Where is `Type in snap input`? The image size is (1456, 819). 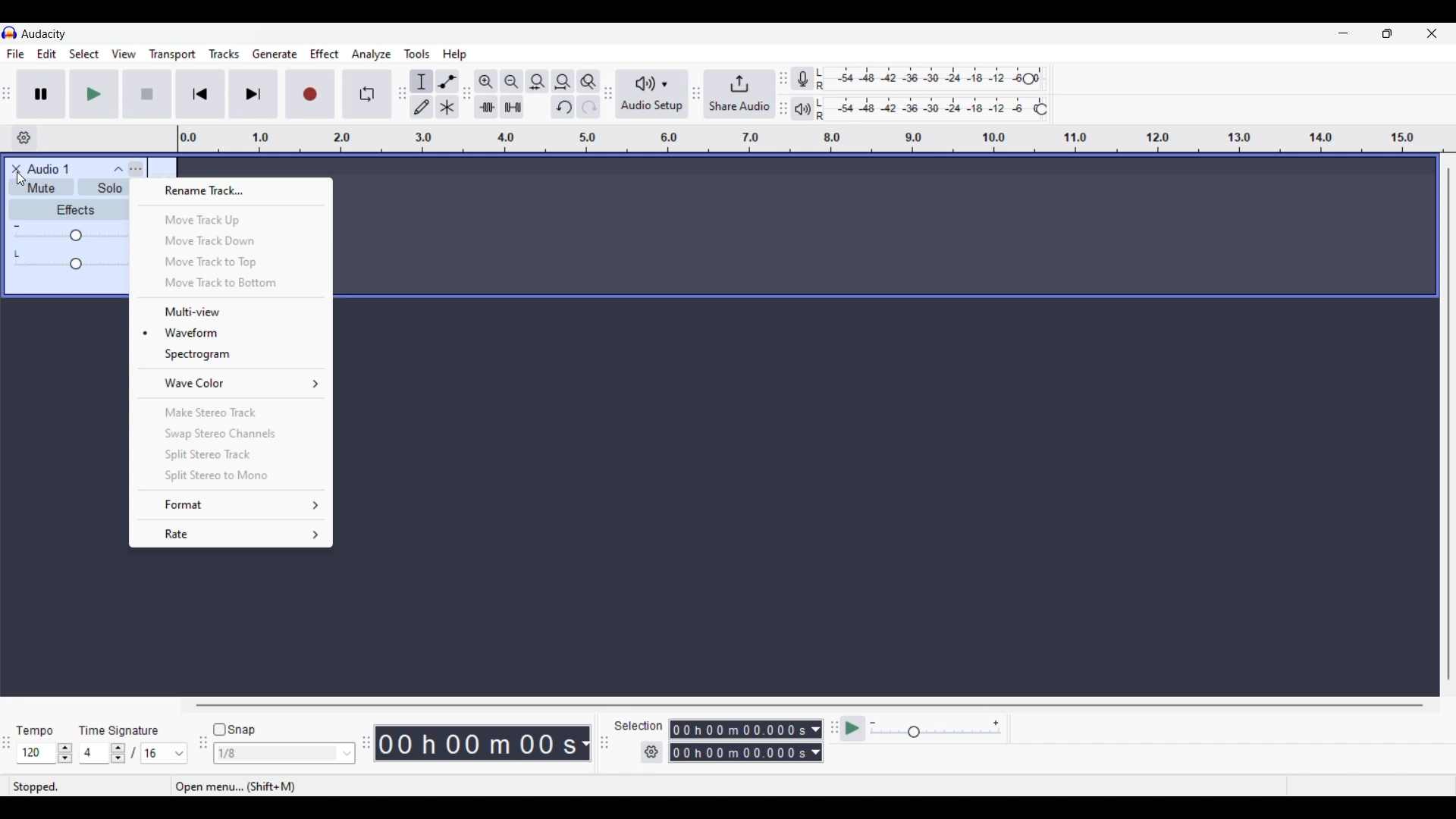 Type in snap input is located at coordinates (277, 754).